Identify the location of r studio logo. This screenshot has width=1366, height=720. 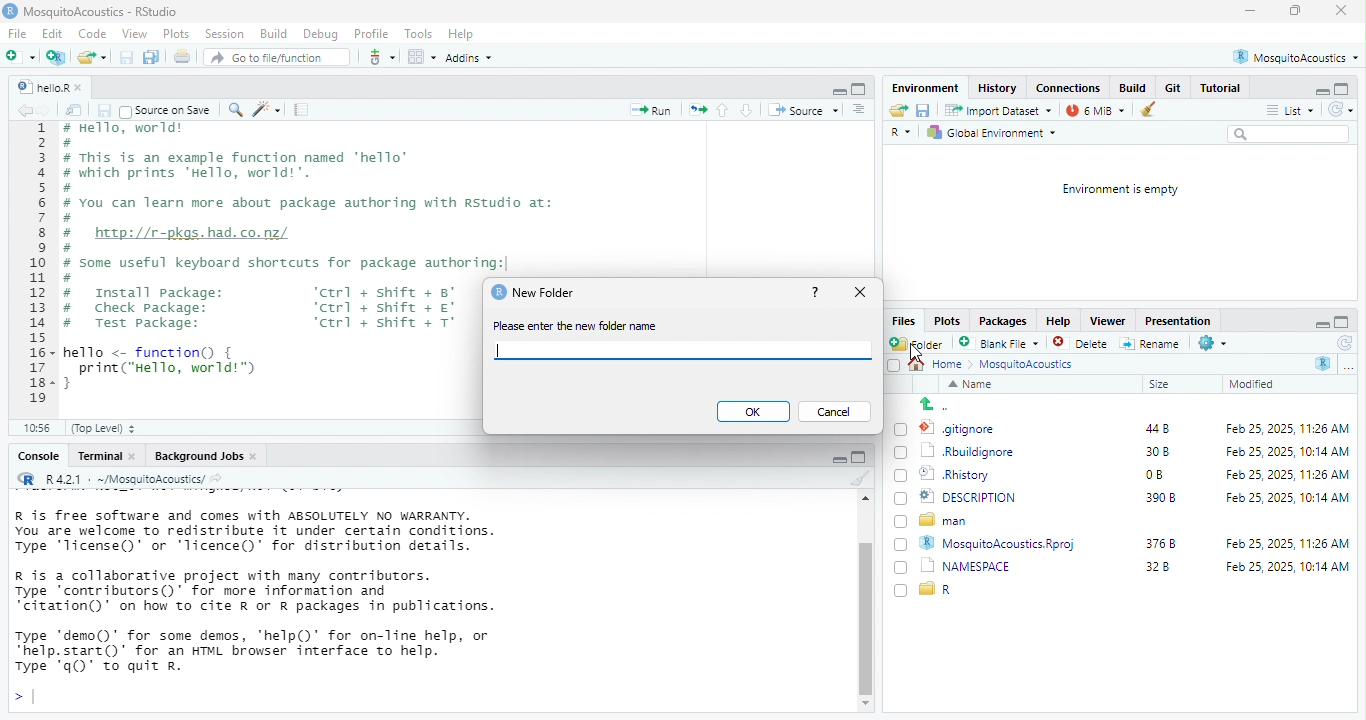
(496, 292).